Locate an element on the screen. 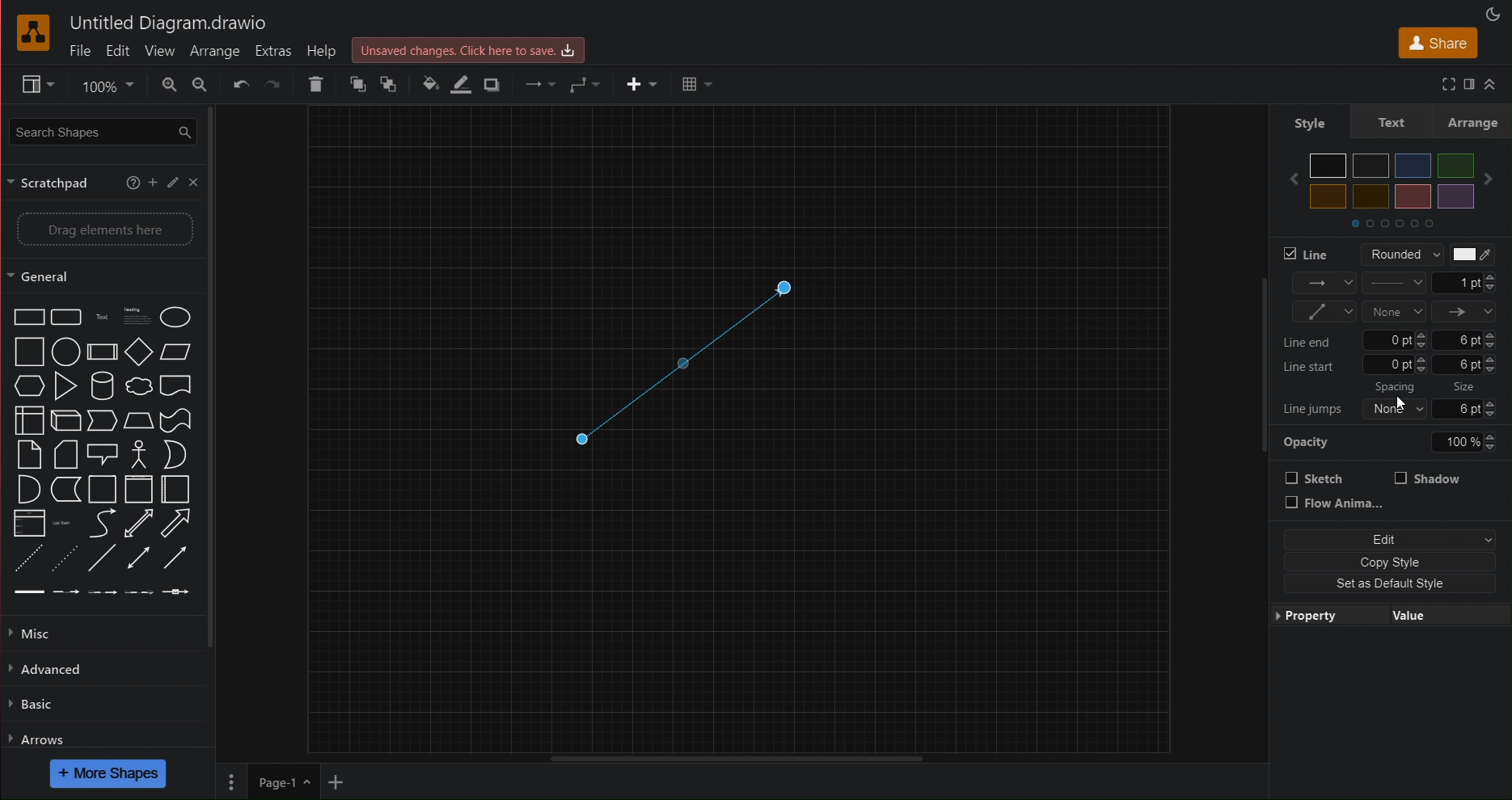 The image size is (1512, 800). Drag elements here is located at coordinates (105, 230).